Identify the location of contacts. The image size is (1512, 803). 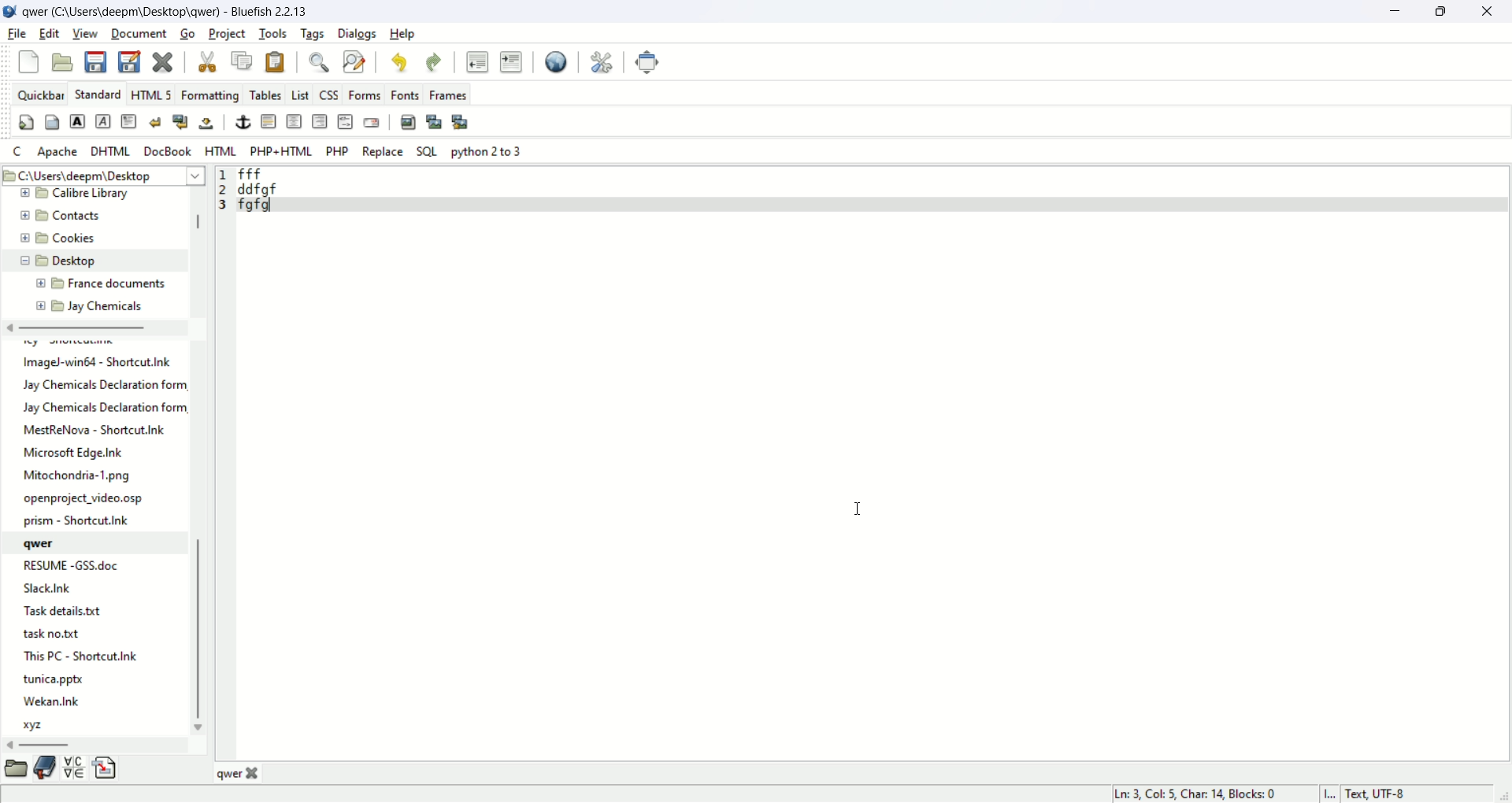
(60, 214).